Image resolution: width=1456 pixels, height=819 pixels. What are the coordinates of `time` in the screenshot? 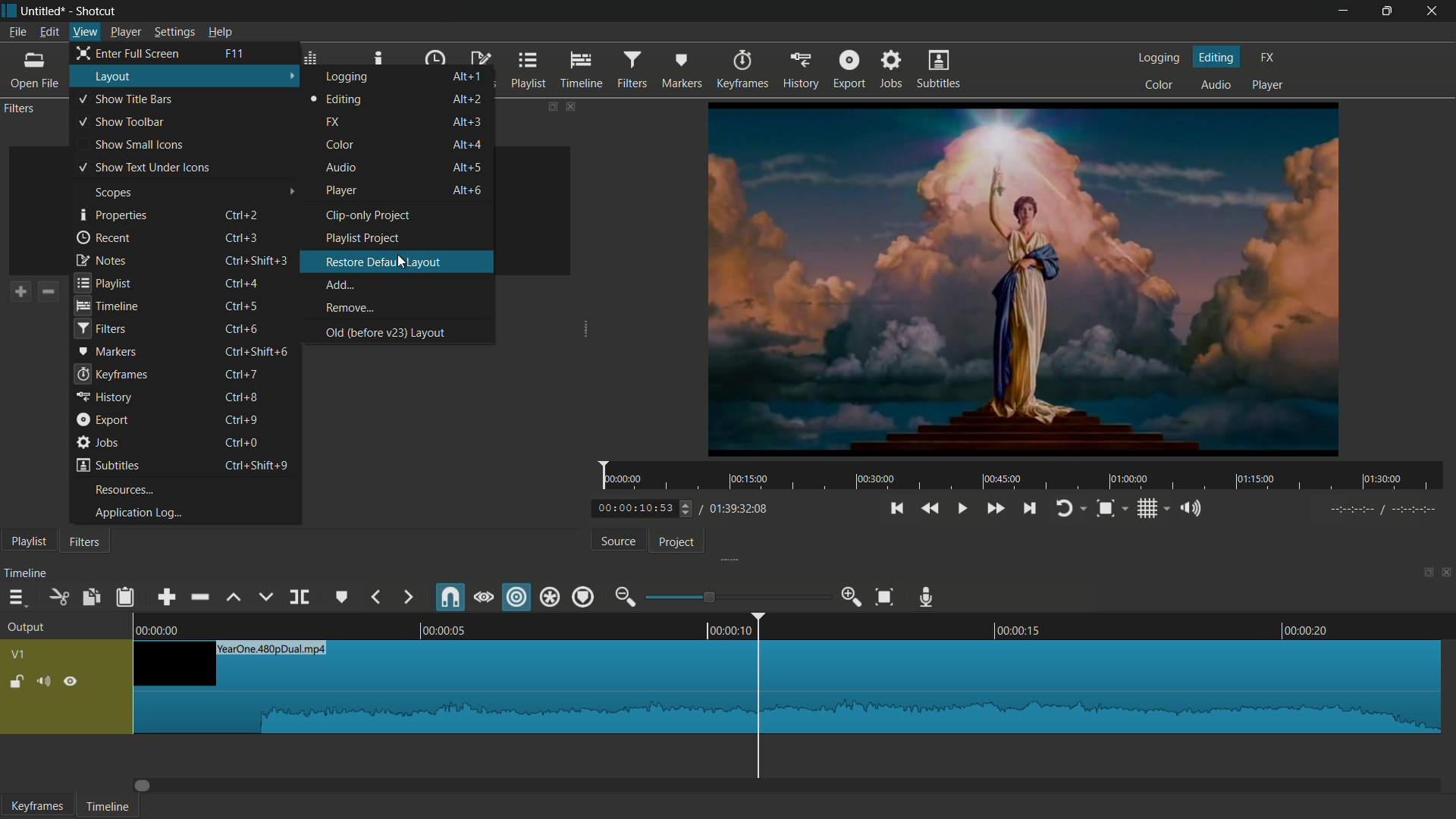 It's located at (1026, 476).